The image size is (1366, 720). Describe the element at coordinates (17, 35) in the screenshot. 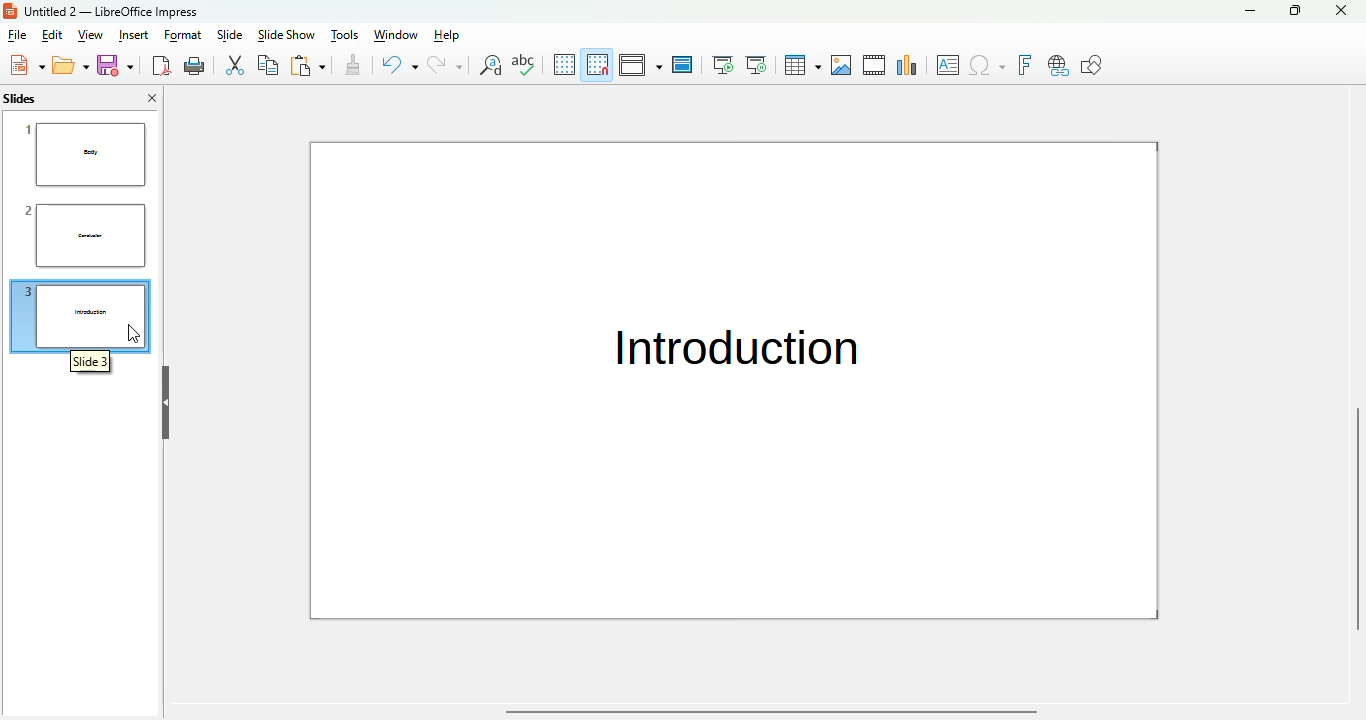

I see `file` at that location.